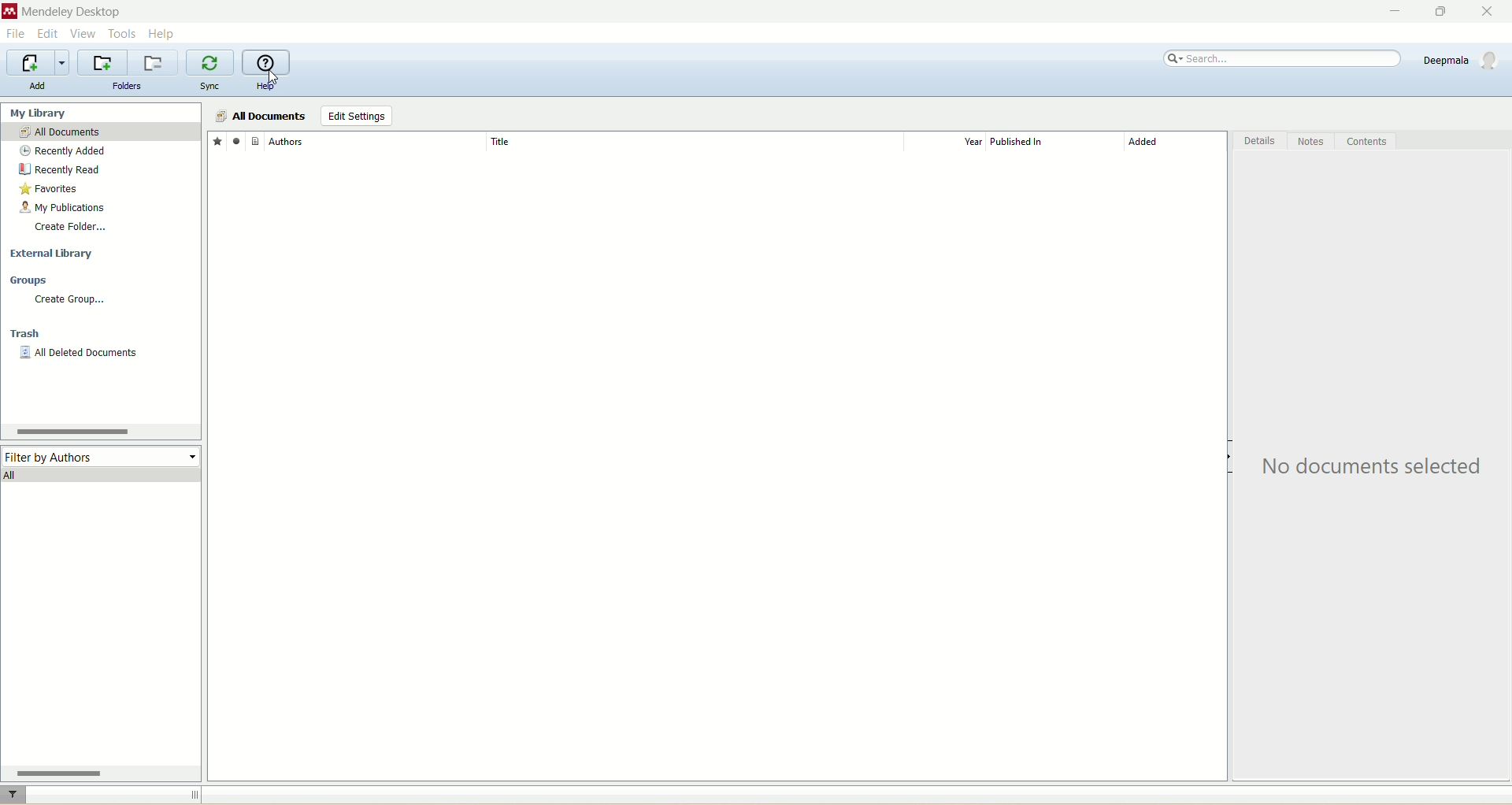 This screenshot has width=1512, height=805. I want to click on title, so click(695, 140).